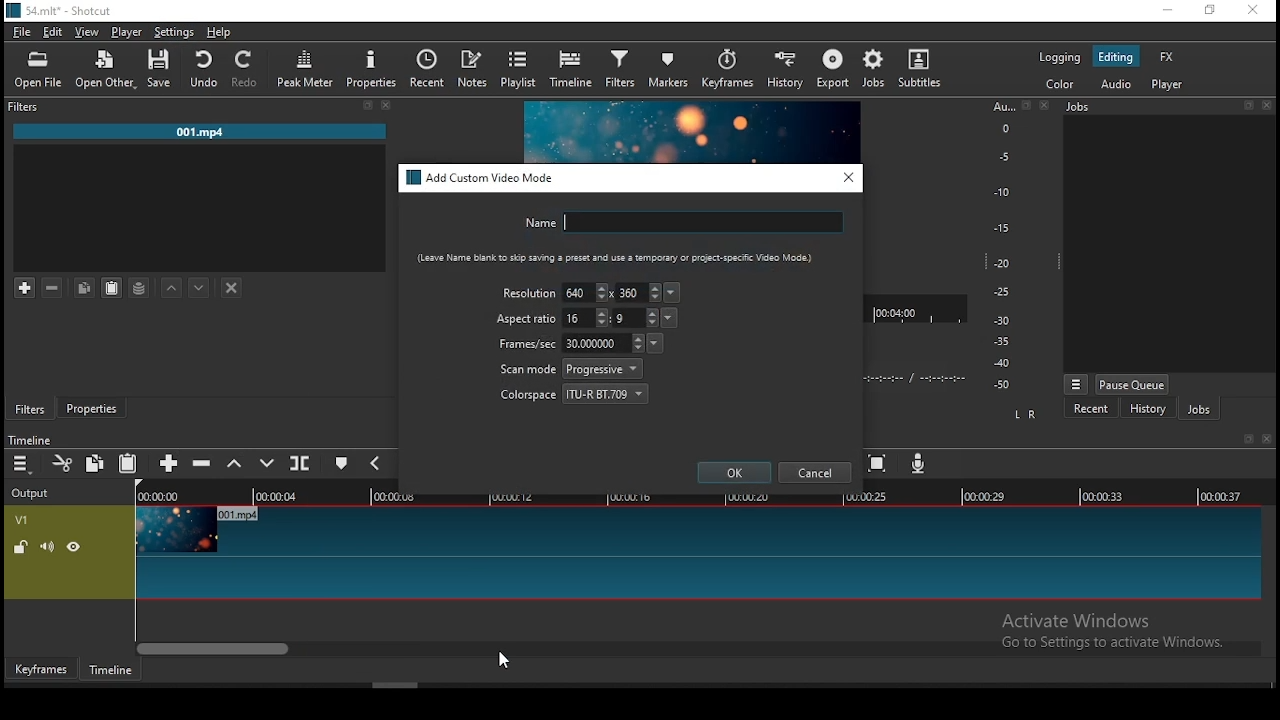 The image size is (1280, 720). Describe the element at coordinates (89, 34) in the screenshot. I see `view` at that location.